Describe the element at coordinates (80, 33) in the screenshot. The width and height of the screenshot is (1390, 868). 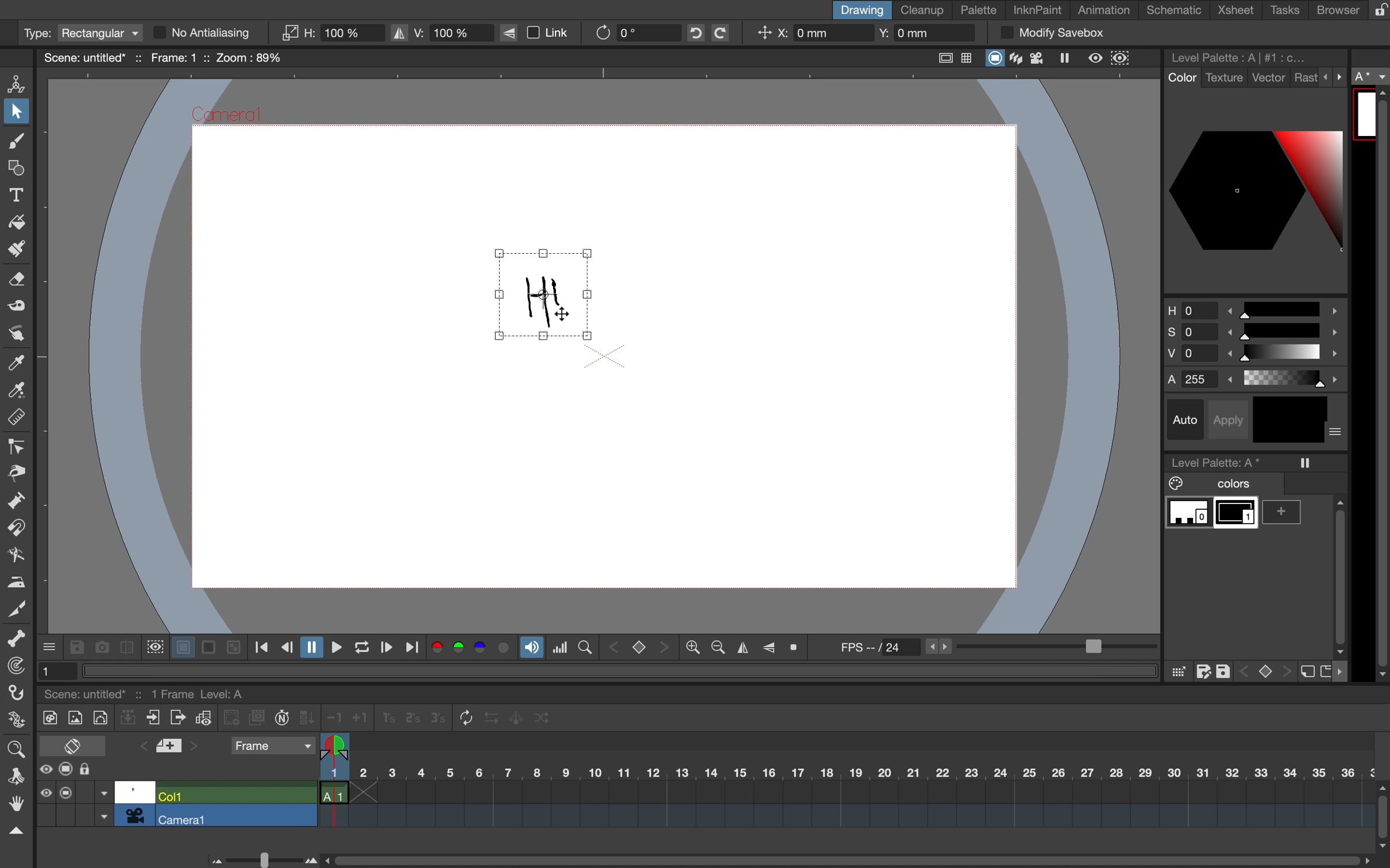
I see `type rectangular` at that location.